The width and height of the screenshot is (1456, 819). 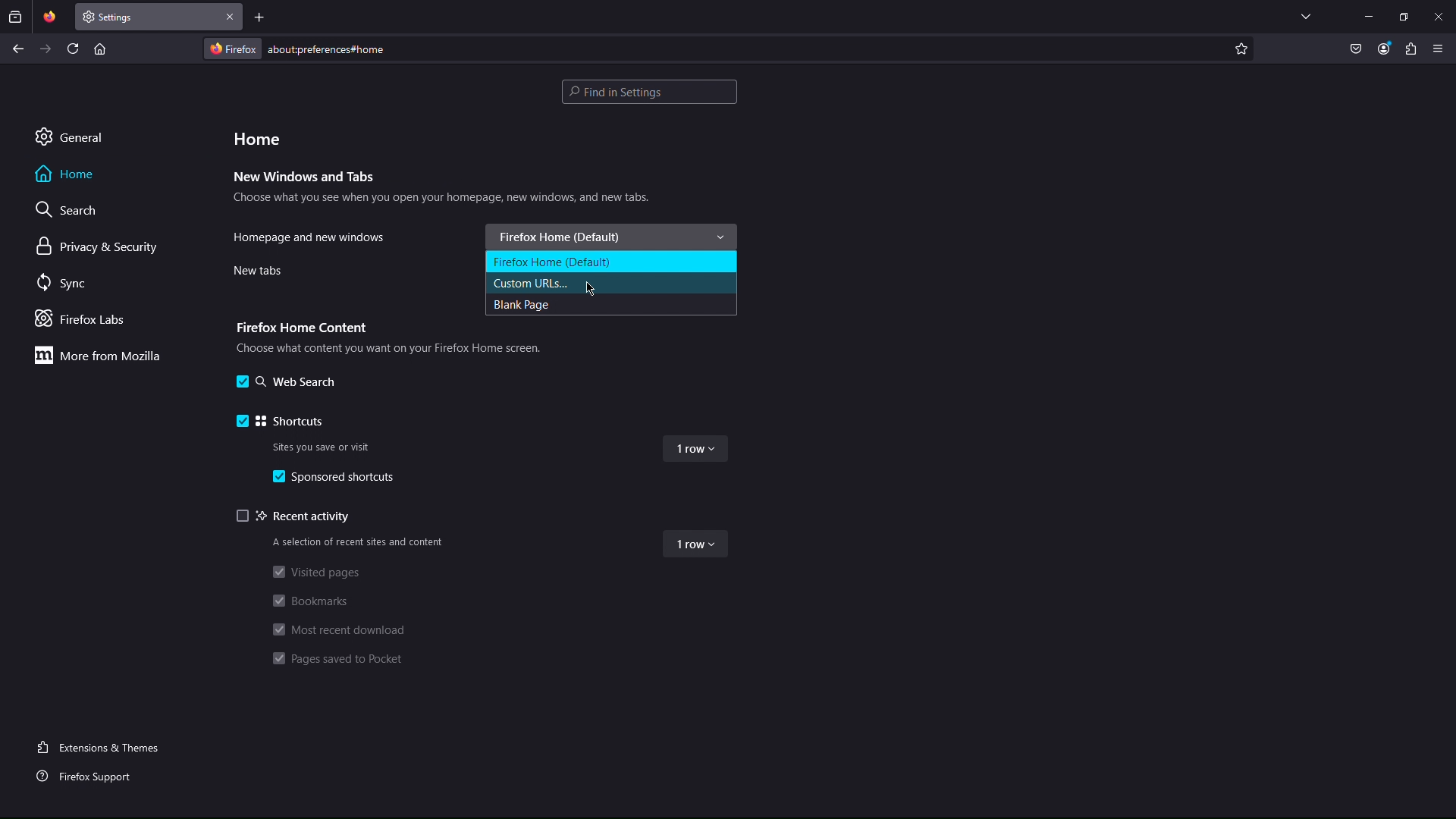 I want to click on Add to favorite, so click(x=1241, y=49).